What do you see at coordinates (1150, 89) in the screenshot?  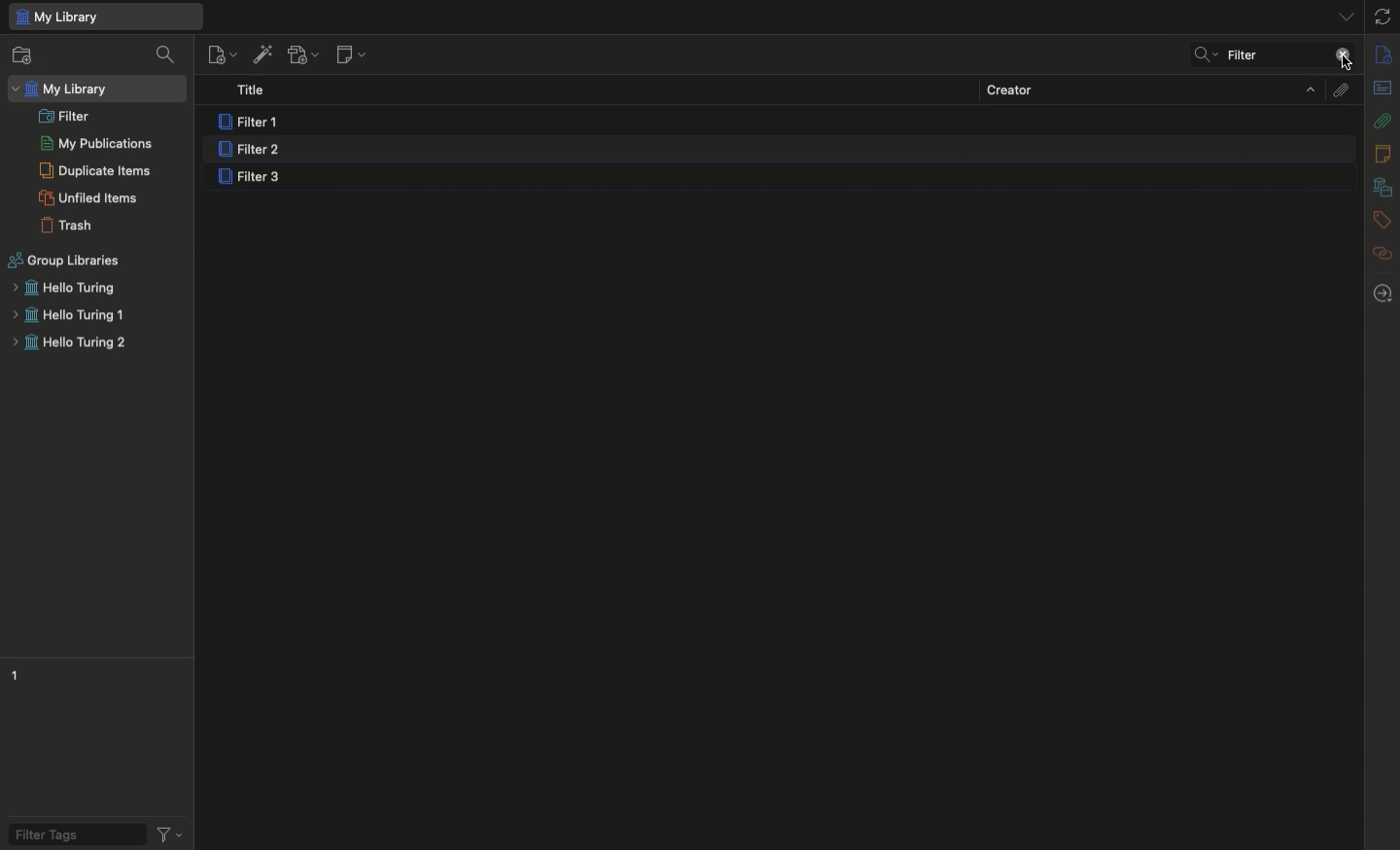 I see `Creator` at bounding box center [1150, 89].